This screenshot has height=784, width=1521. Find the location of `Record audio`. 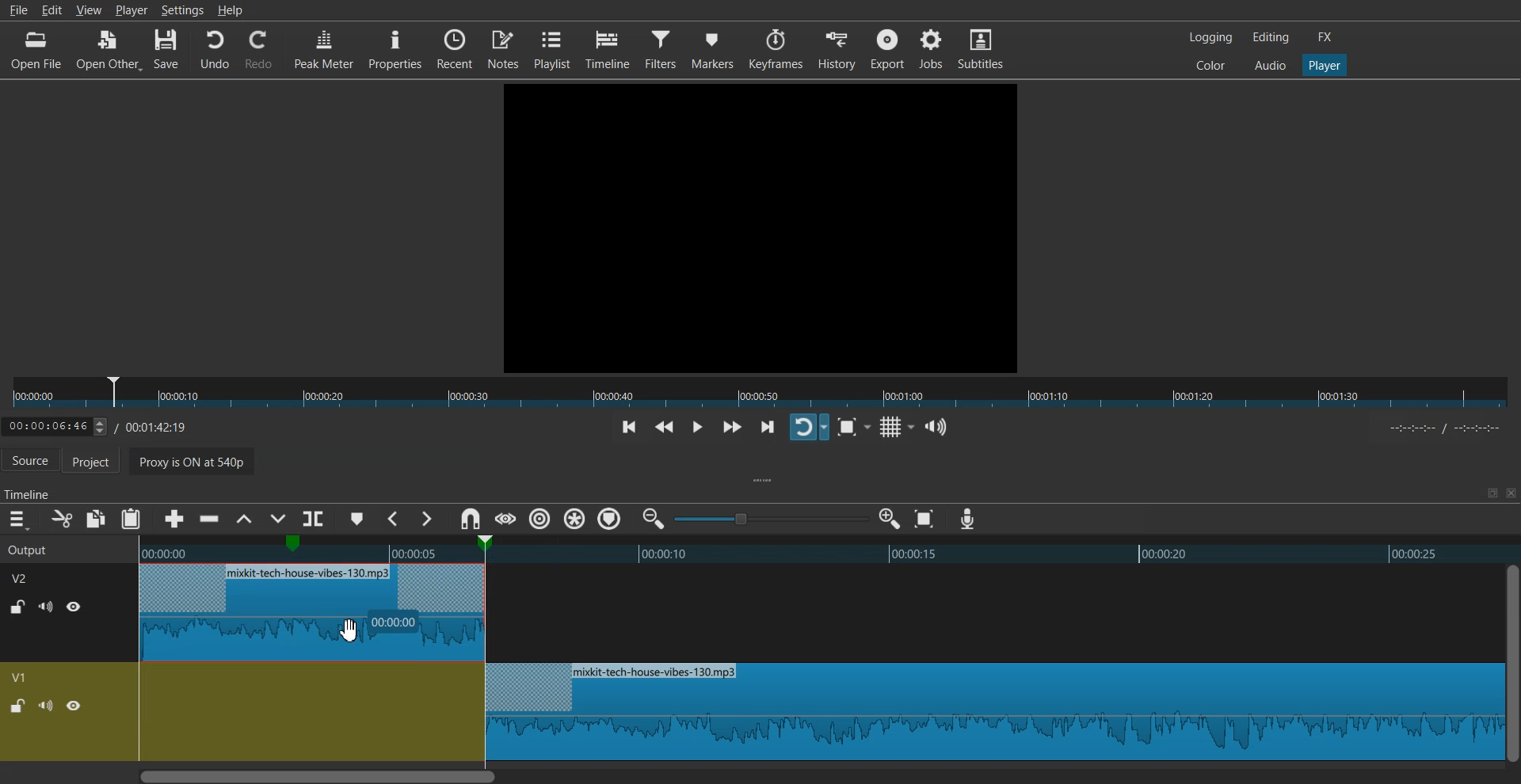

Record audio is located at coordinates (966, 519).